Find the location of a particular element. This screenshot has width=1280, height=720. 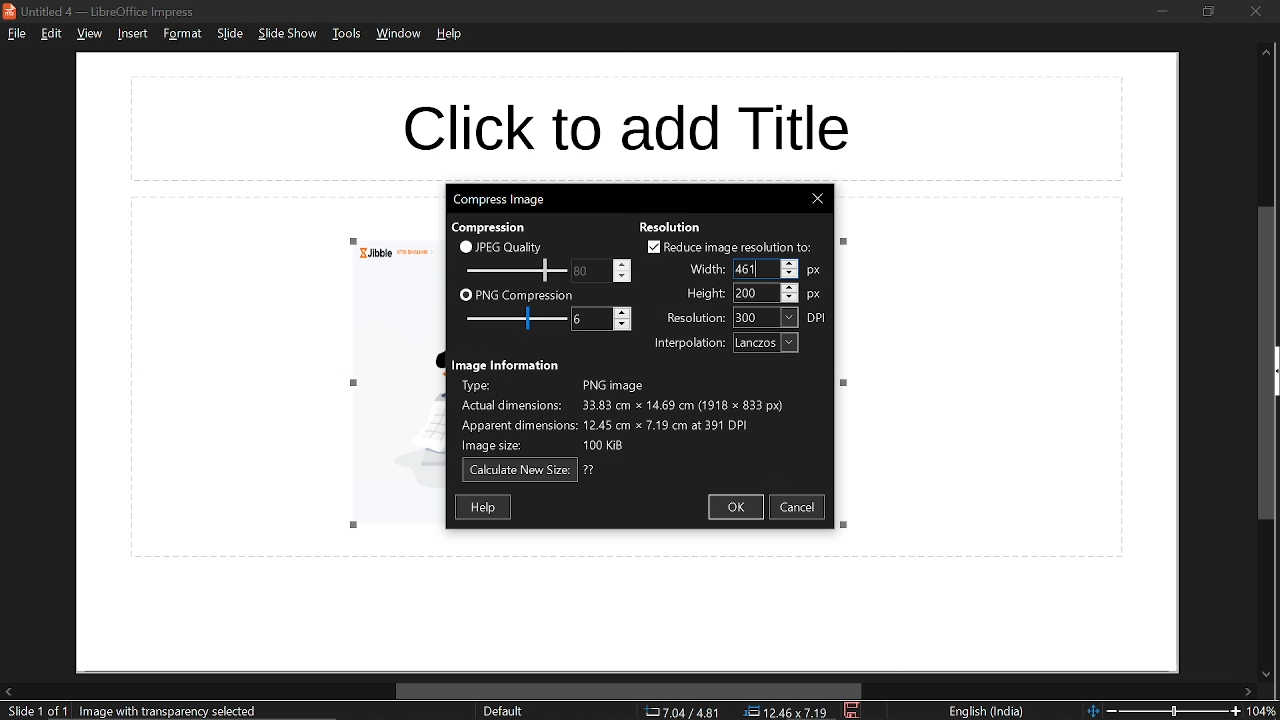

text is located at coordinates (590, 470).